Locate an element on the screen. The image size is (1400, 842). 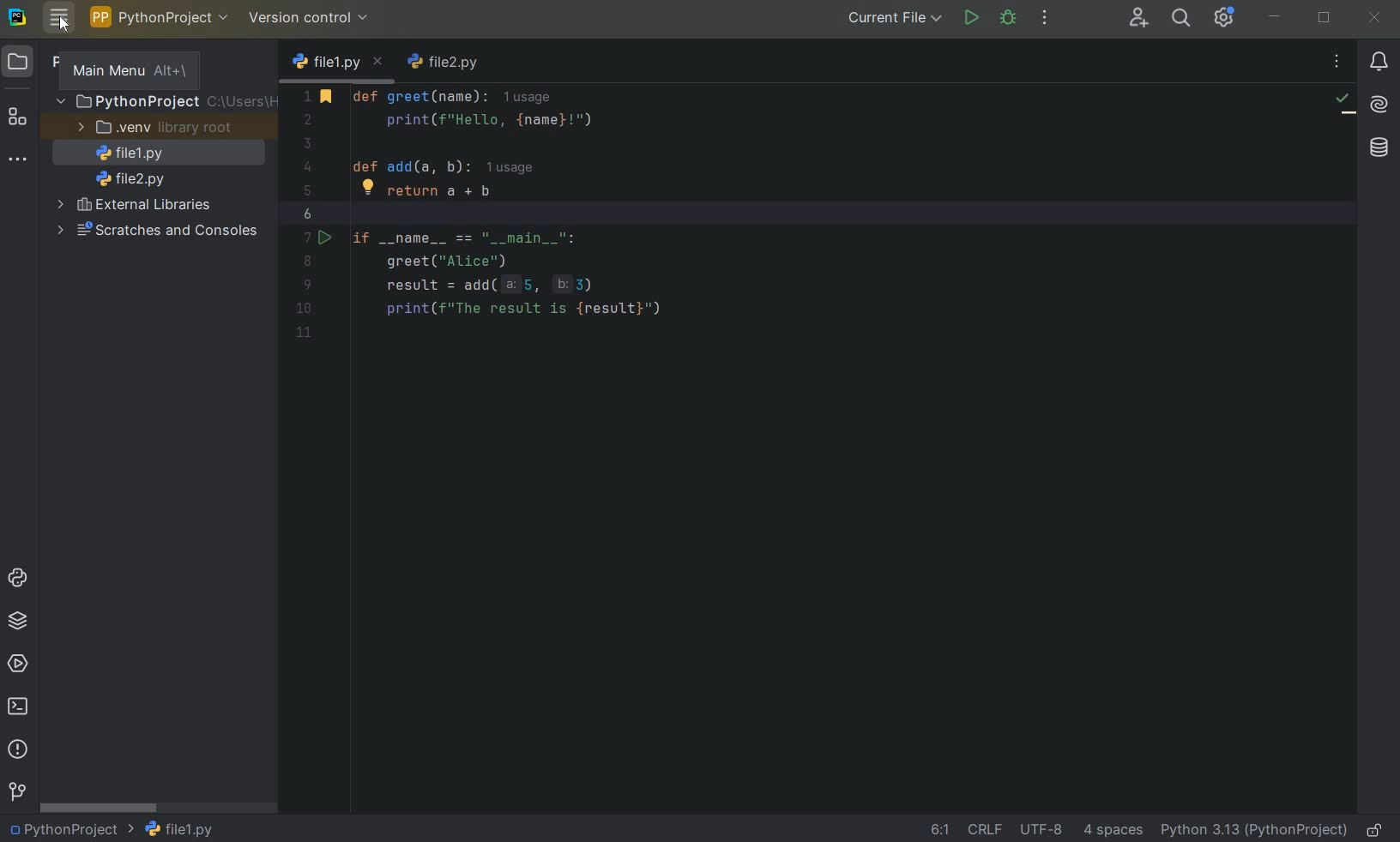
database is located at coordinates (1377, 146).